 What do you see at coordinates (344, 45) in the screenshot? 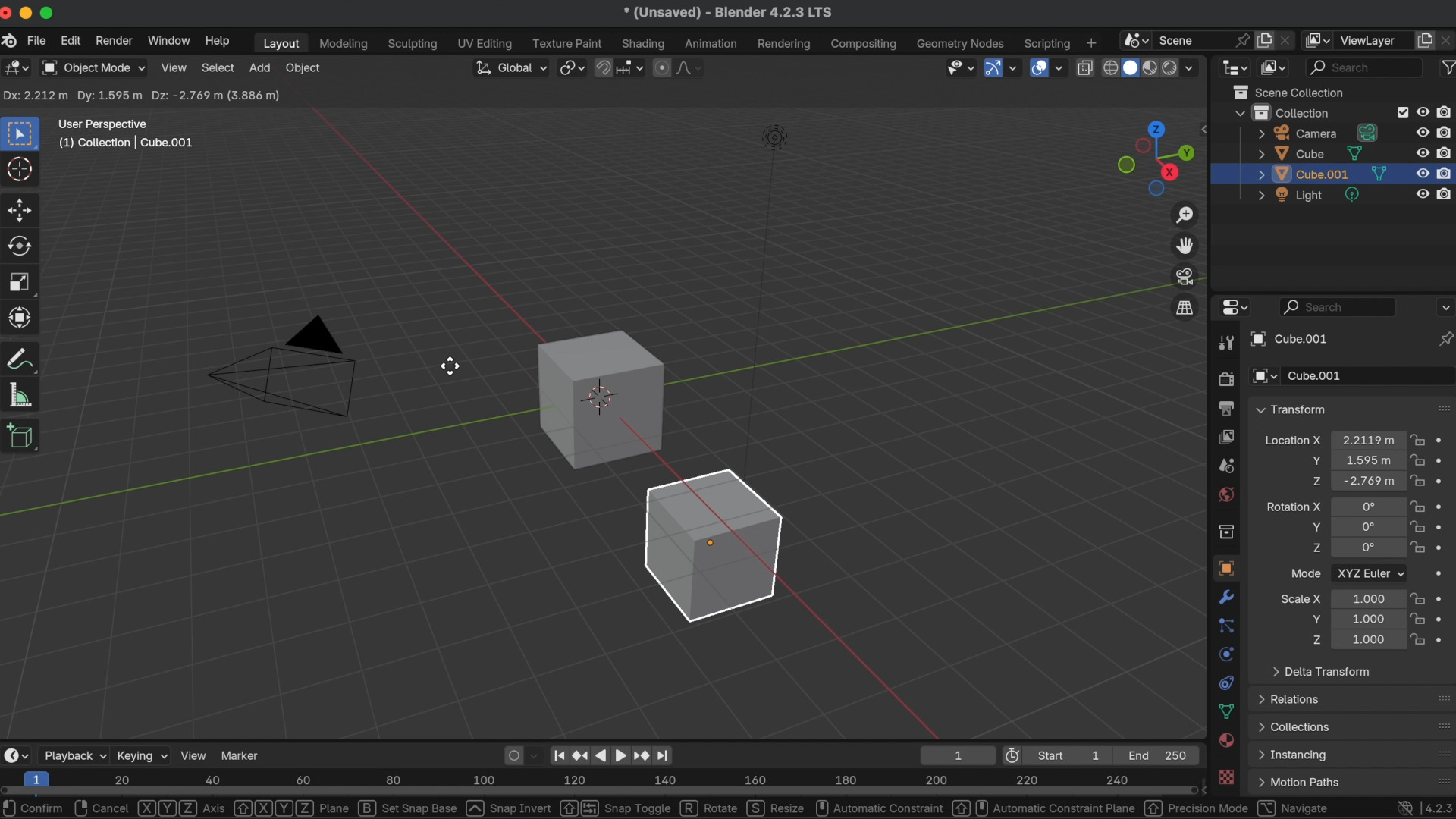
I see `modelling` at bounding box center [344, 45].